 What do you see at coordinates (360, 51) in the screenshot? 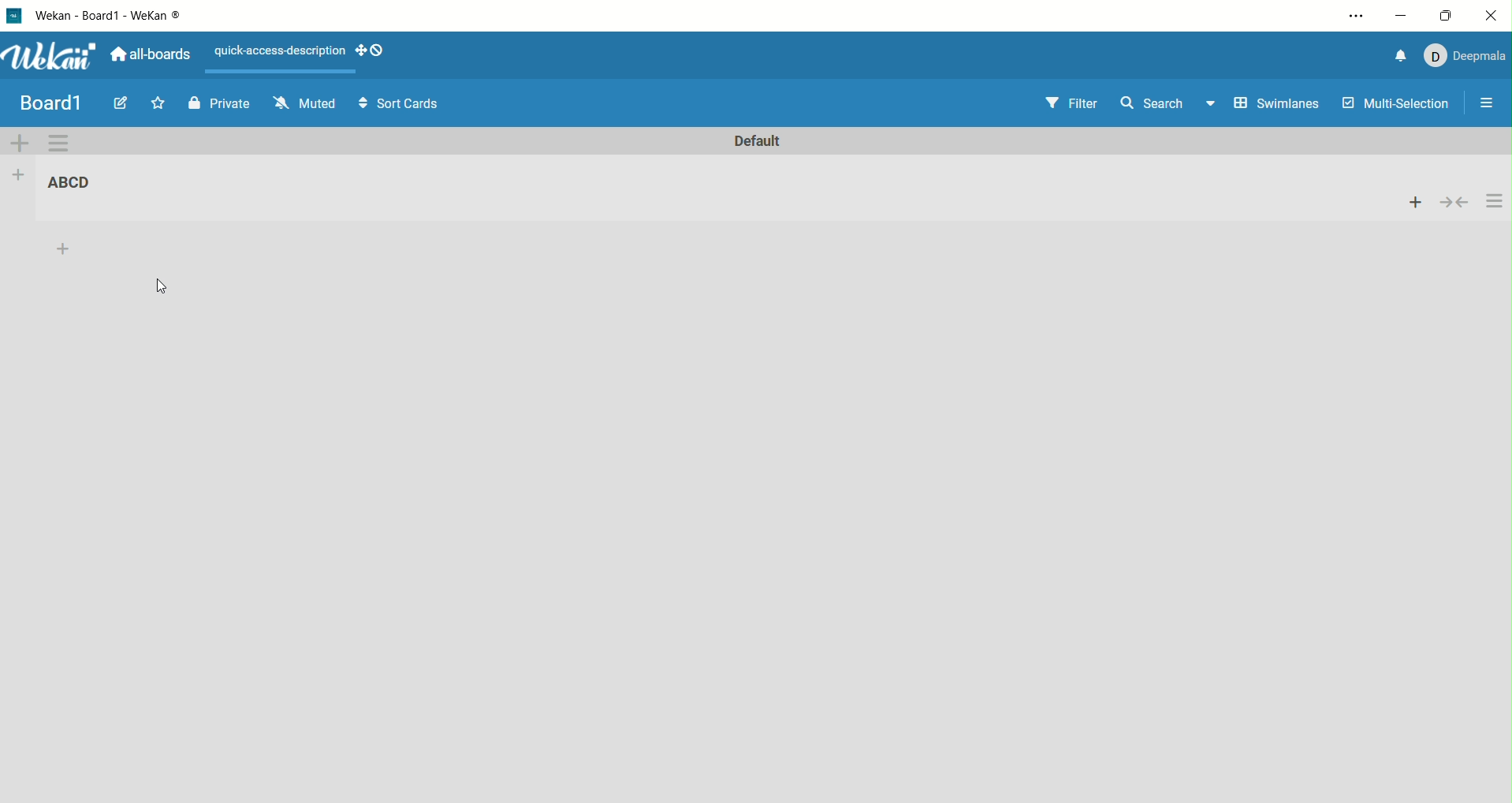
I see `show-desktop-drag-handles` at bounding box center [360, 51].